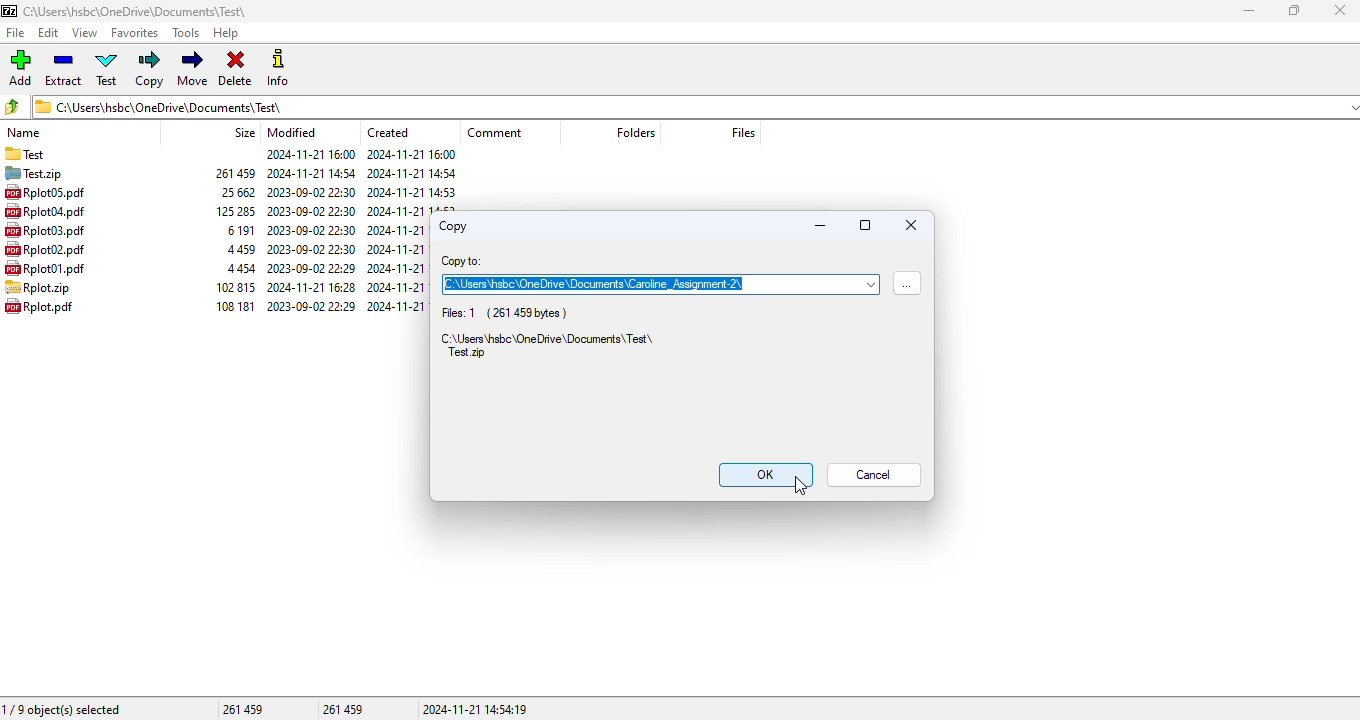 The height and width of the screenshot is (720, 1360). I want to click on created, so click(388, 131).